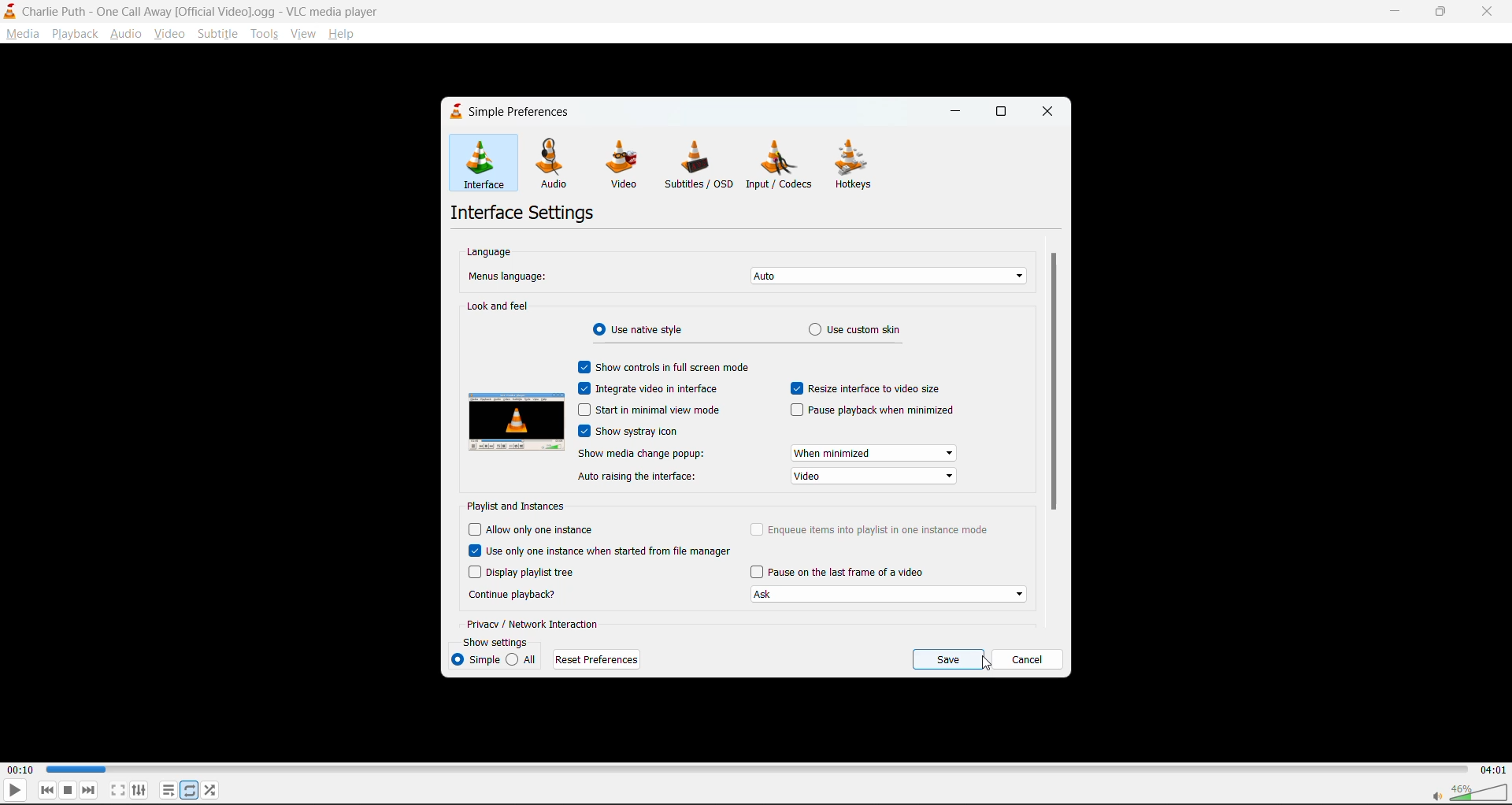 This screenshot has width=1512, height=805. What do you see at coordinates (1492, 11) in the screenshot?
I see `close` at bounding box center [1492, 11].